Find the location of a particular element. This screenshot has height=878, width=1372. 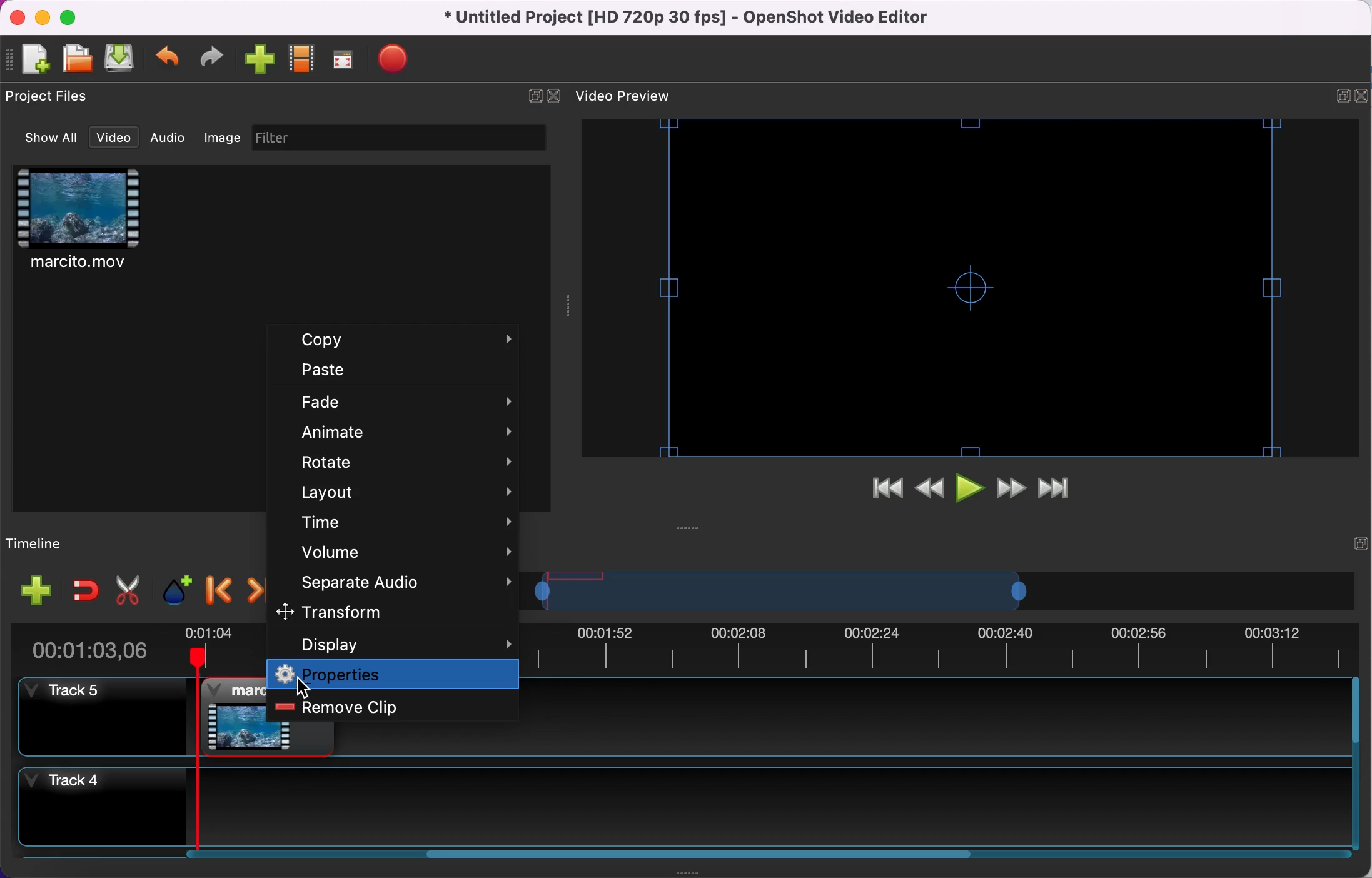

add marker is located at coordinates (174, 588).